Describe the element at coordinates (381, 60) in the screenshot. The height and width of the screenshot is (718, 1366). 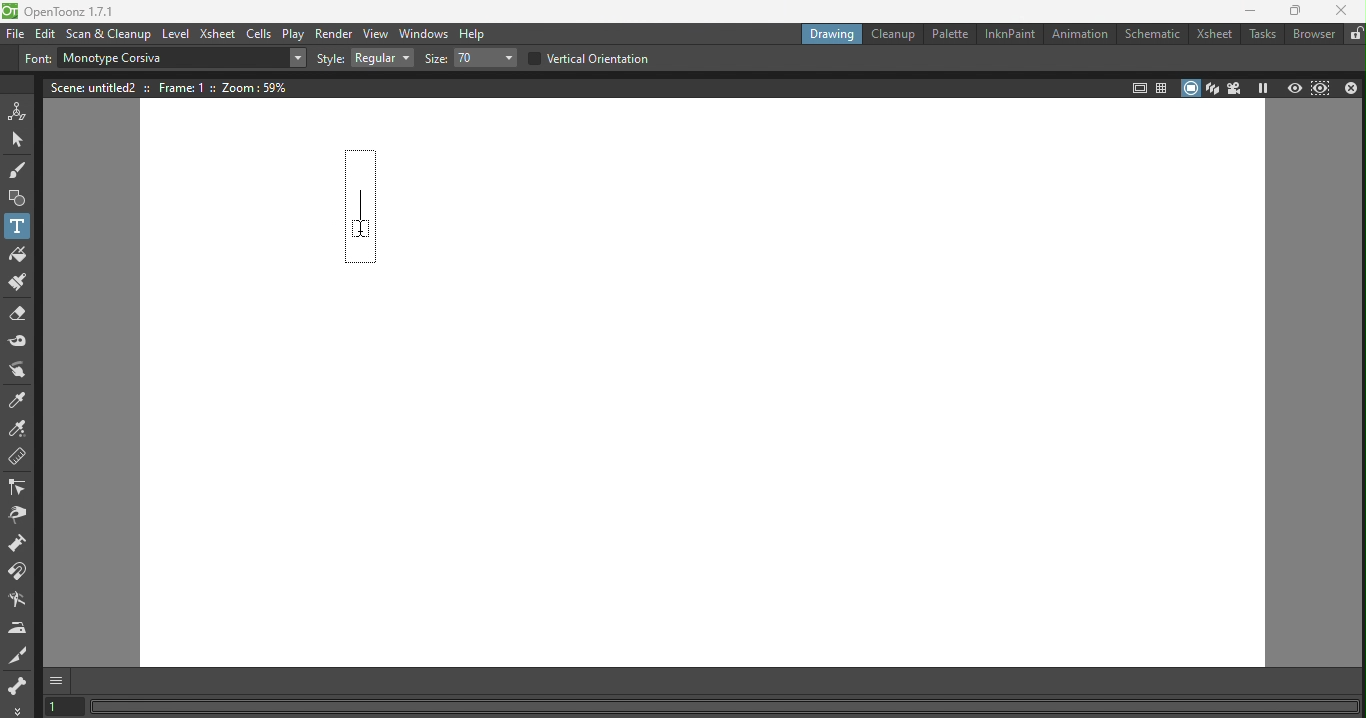
I see `Drop down` at that location.